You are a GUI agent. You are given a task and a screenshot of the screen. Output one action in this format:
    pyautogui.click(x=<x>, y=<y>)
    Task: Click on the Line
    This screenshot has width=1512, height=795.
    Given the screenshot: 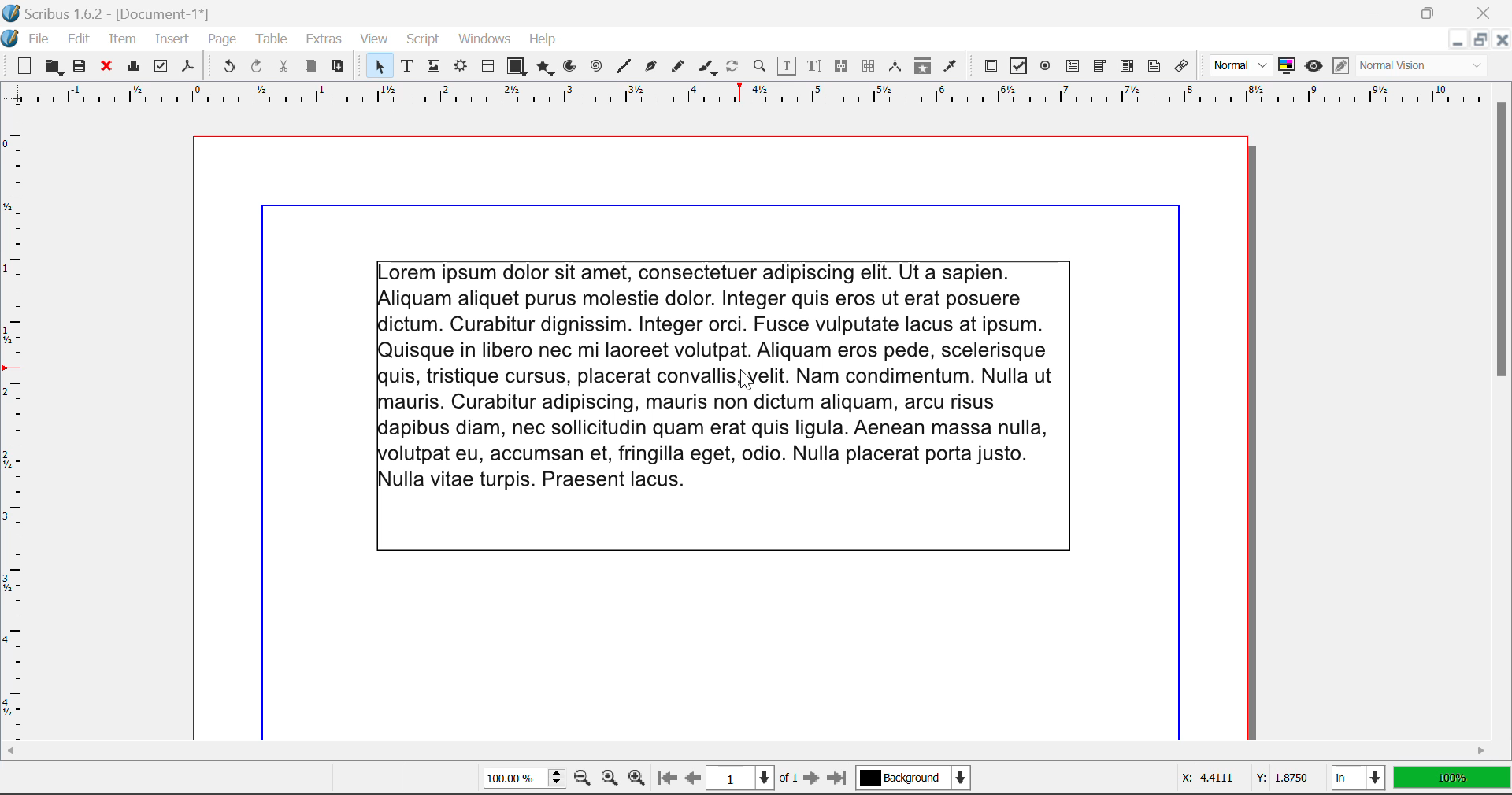 What is the action you would take?
    pyautogui.click(x=624, y=67)
    